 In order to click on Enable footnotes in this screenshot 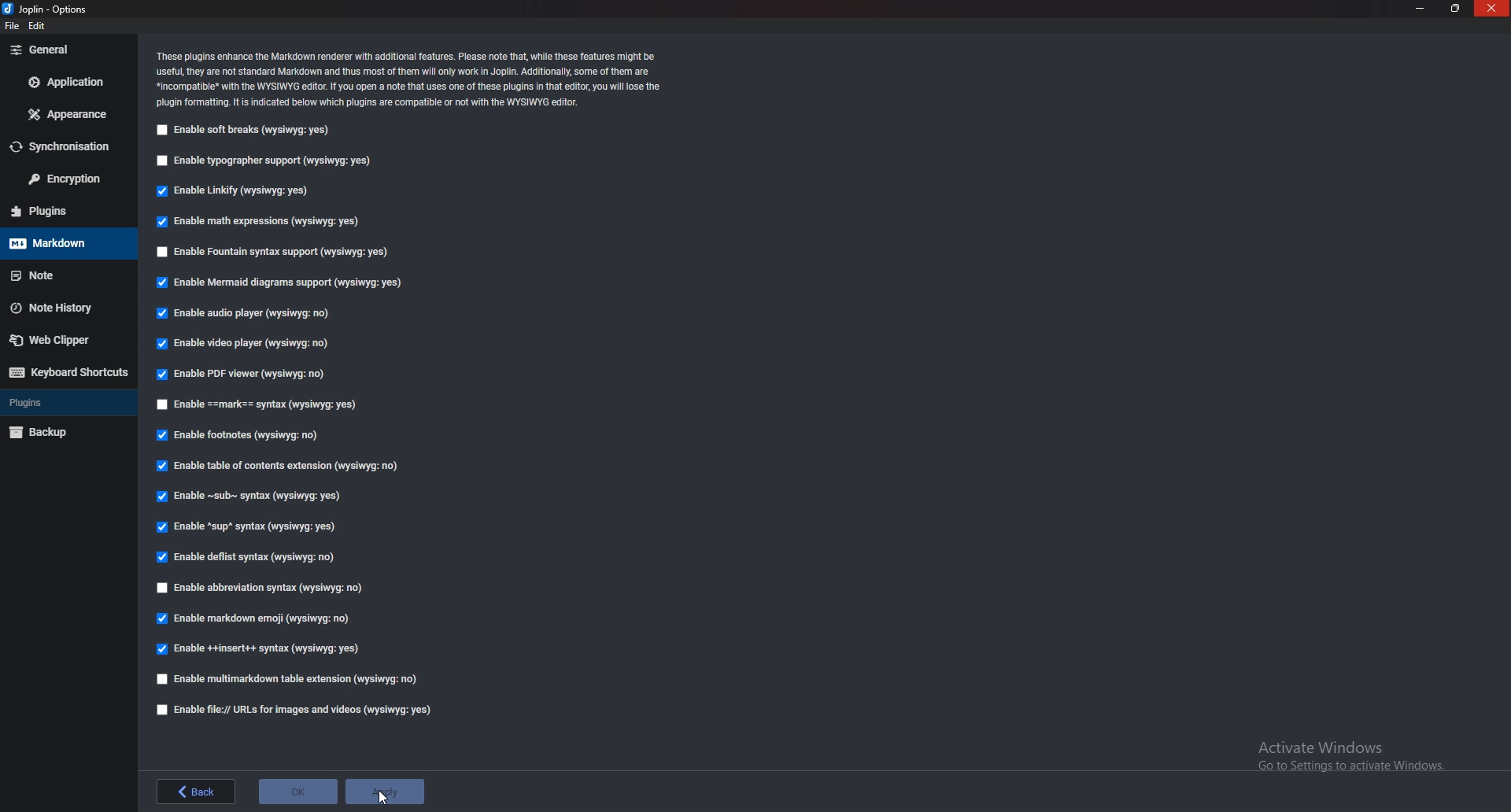, I will do `click(242, 437)`.